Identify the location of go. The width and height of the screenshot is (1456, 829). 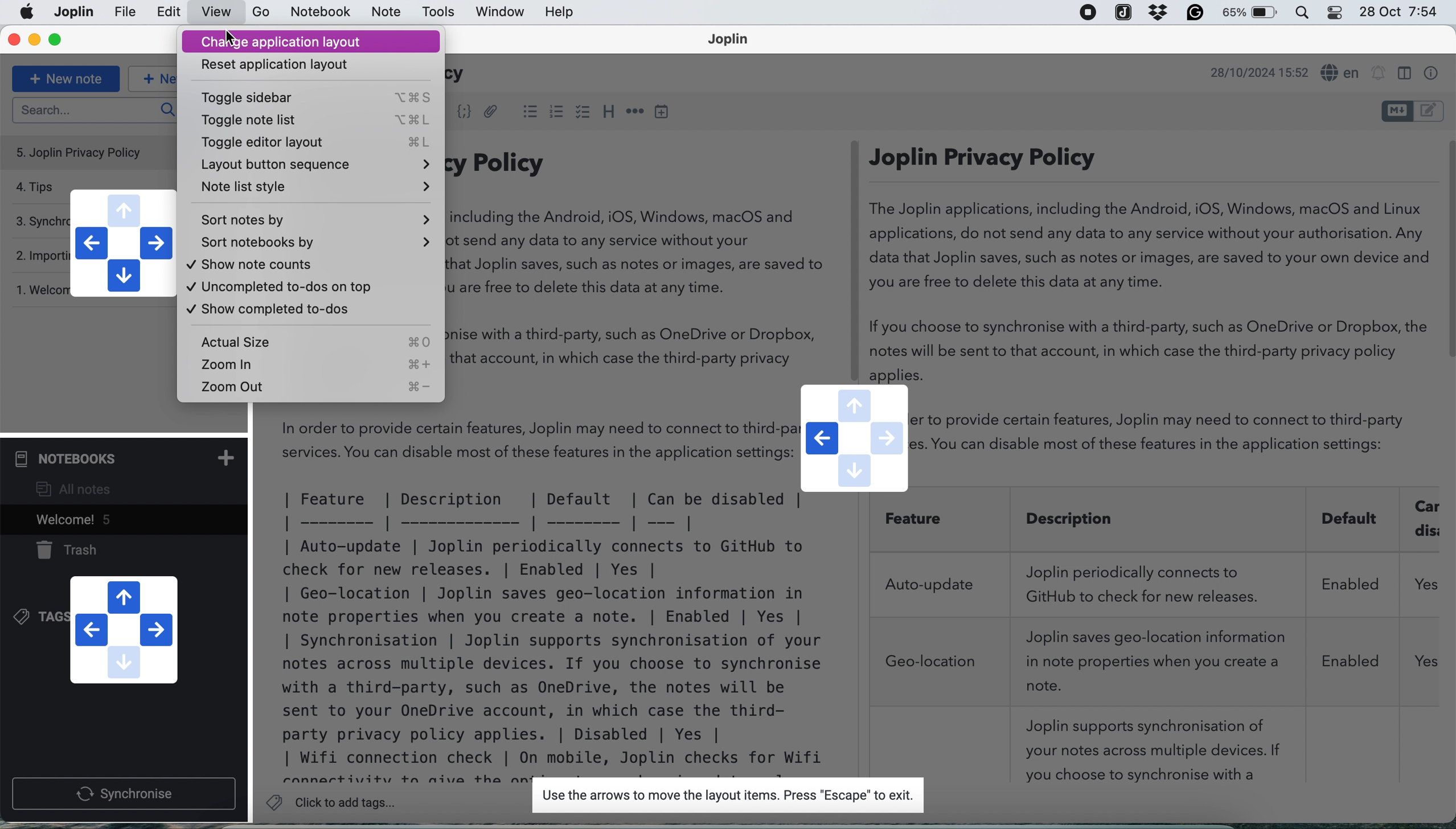
(262, 13).